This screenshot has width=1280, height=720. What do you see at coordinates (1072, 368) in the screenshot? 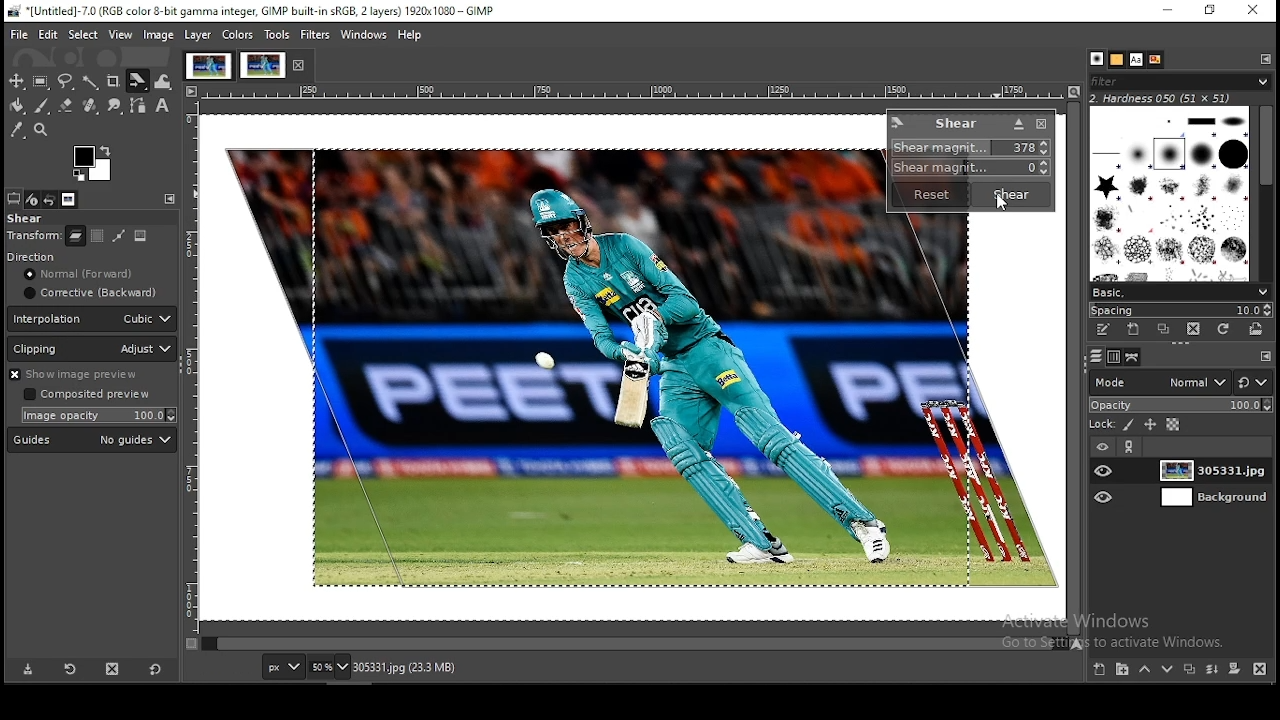
I see `scroll bar` at bounding box center [1072, 368].